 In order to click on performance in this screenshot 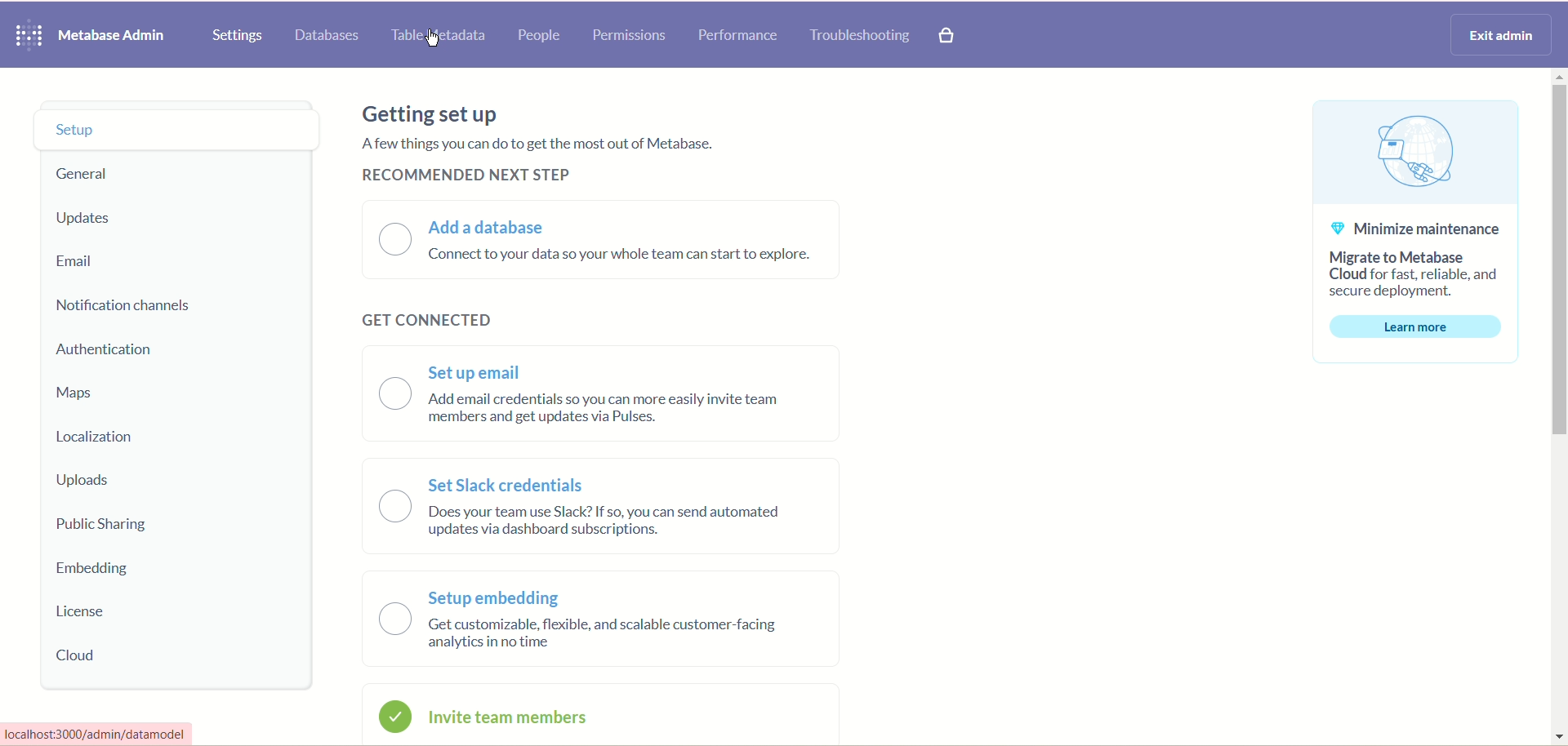, I will do `click(738, 35)`.